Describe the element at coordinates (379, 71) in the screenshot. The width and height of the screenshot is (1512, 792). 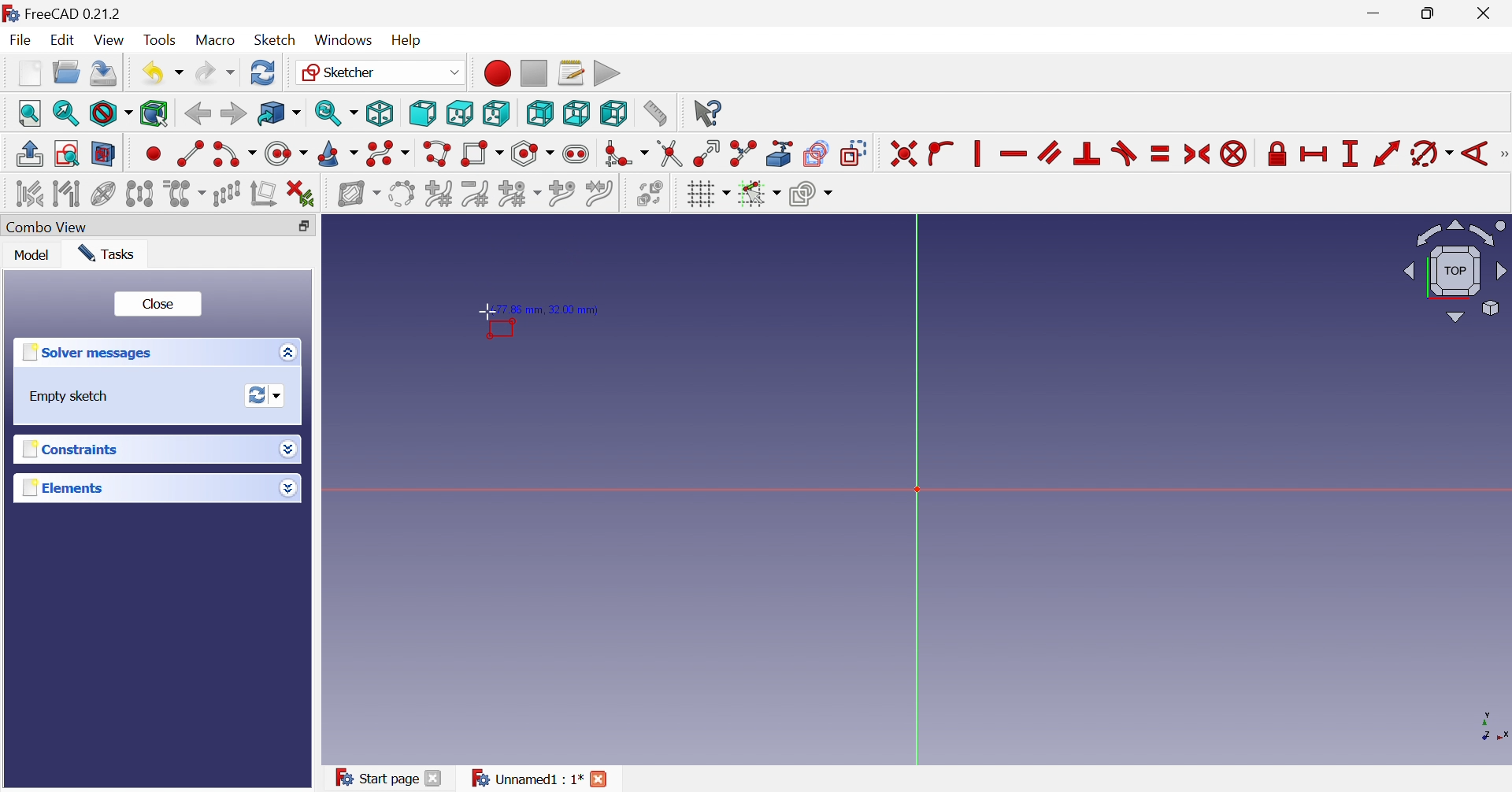
I see `Sketcher` at that location.